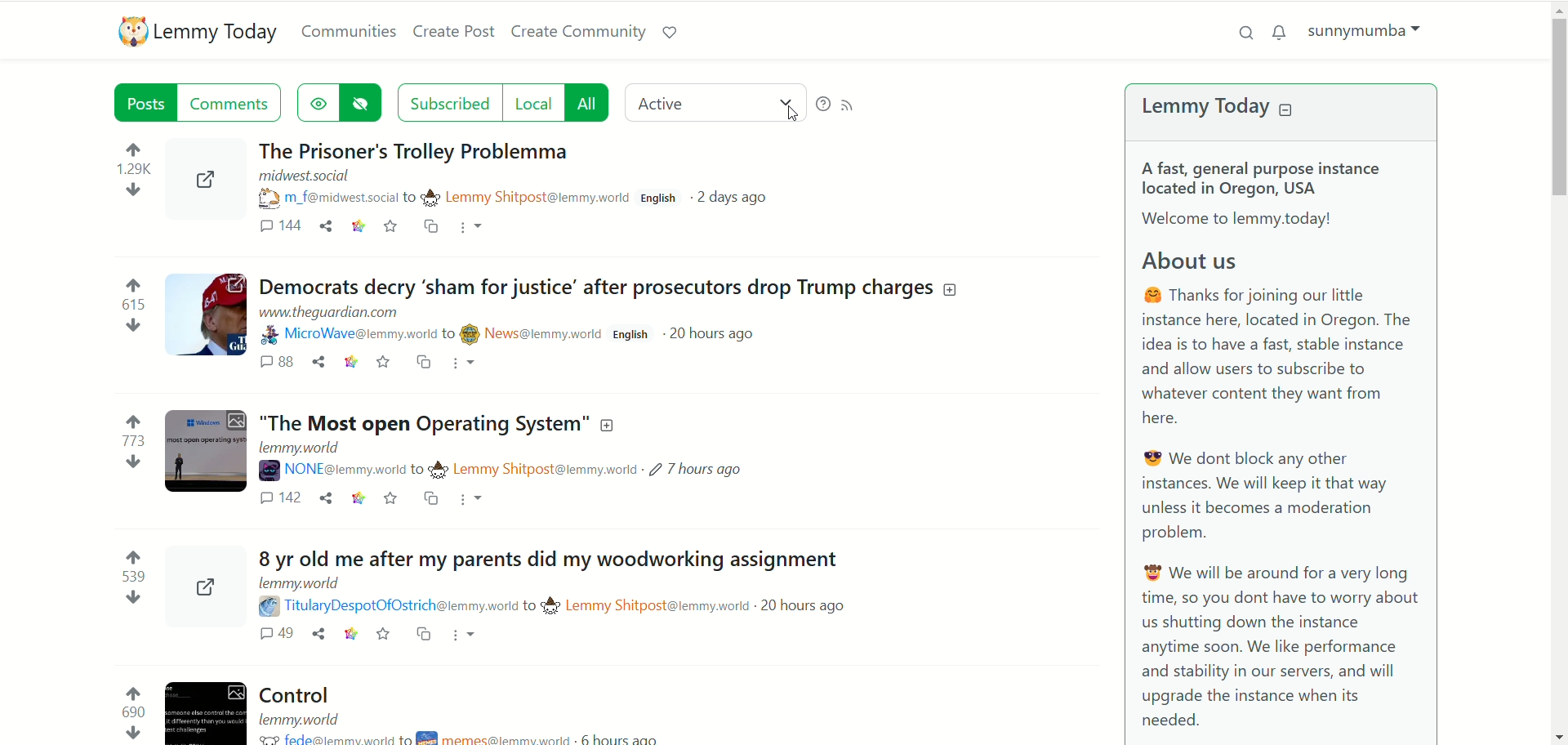  What do you see at coordinates (204, 316) in the screenshot?
I see `Preview image` at bounding box center [204, 316].